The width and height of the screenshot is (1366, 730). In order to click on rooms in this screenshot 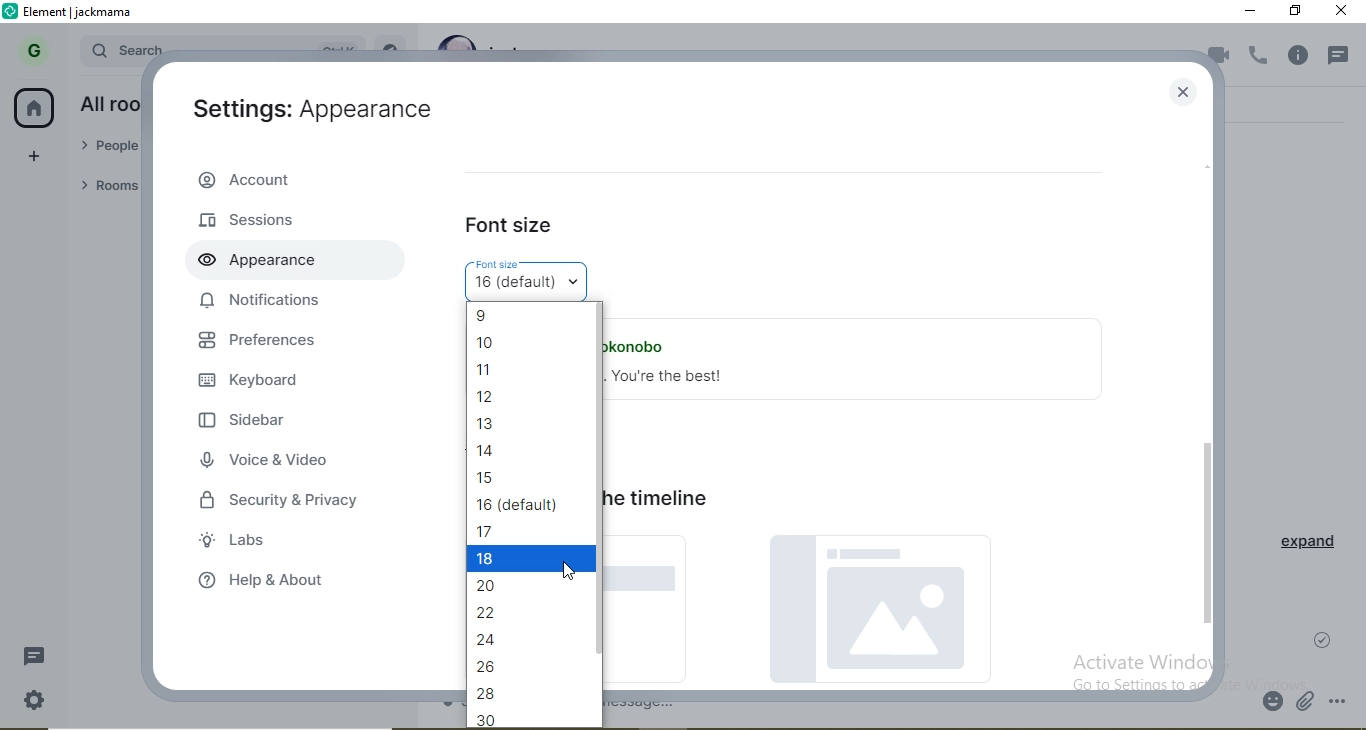, I will do `click(105, 187)`.